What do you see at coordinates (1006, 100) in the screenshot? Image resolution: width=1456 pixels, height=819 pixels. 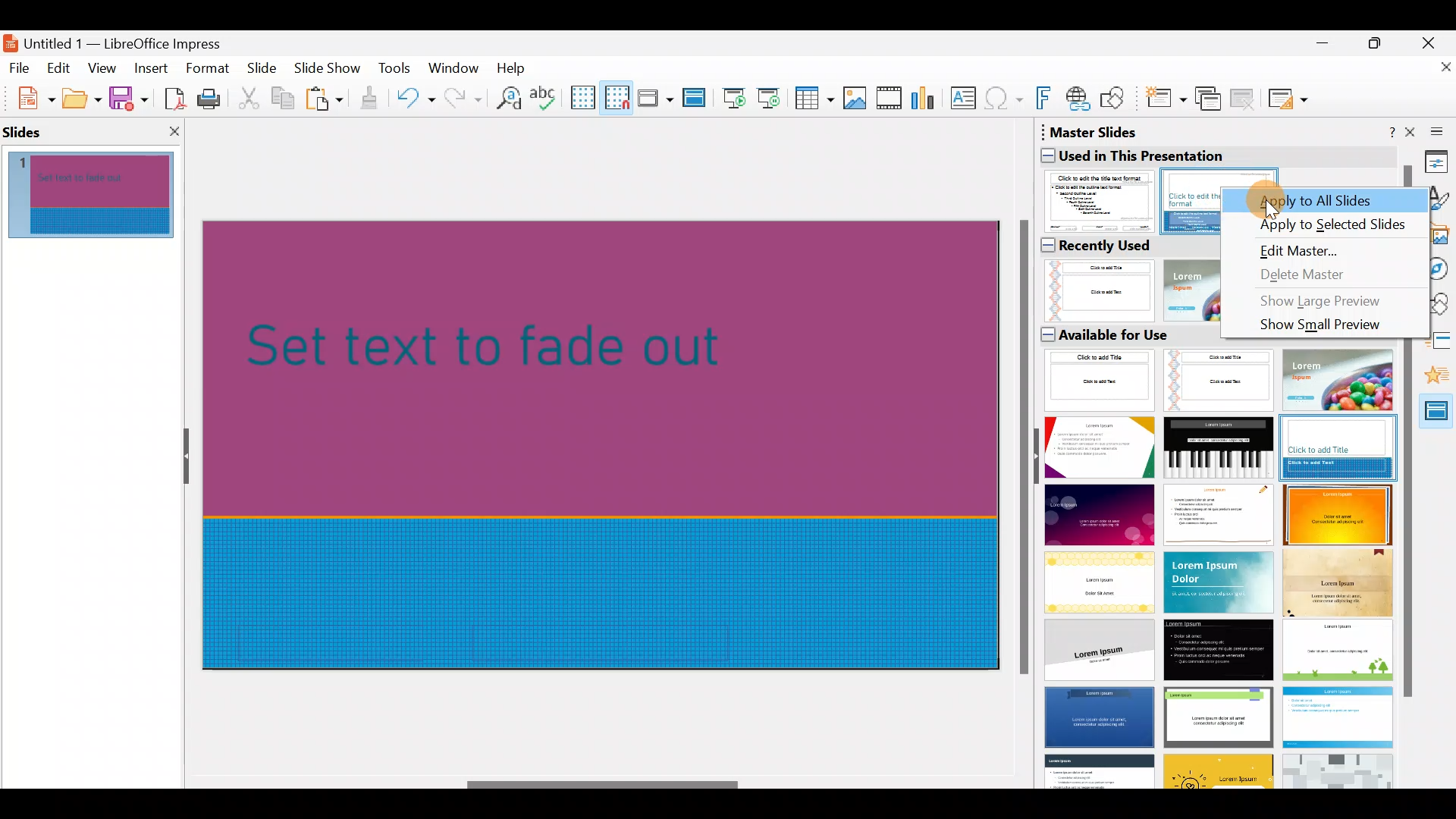 I see `Insert special characters` at bounding box center [1006, 100].